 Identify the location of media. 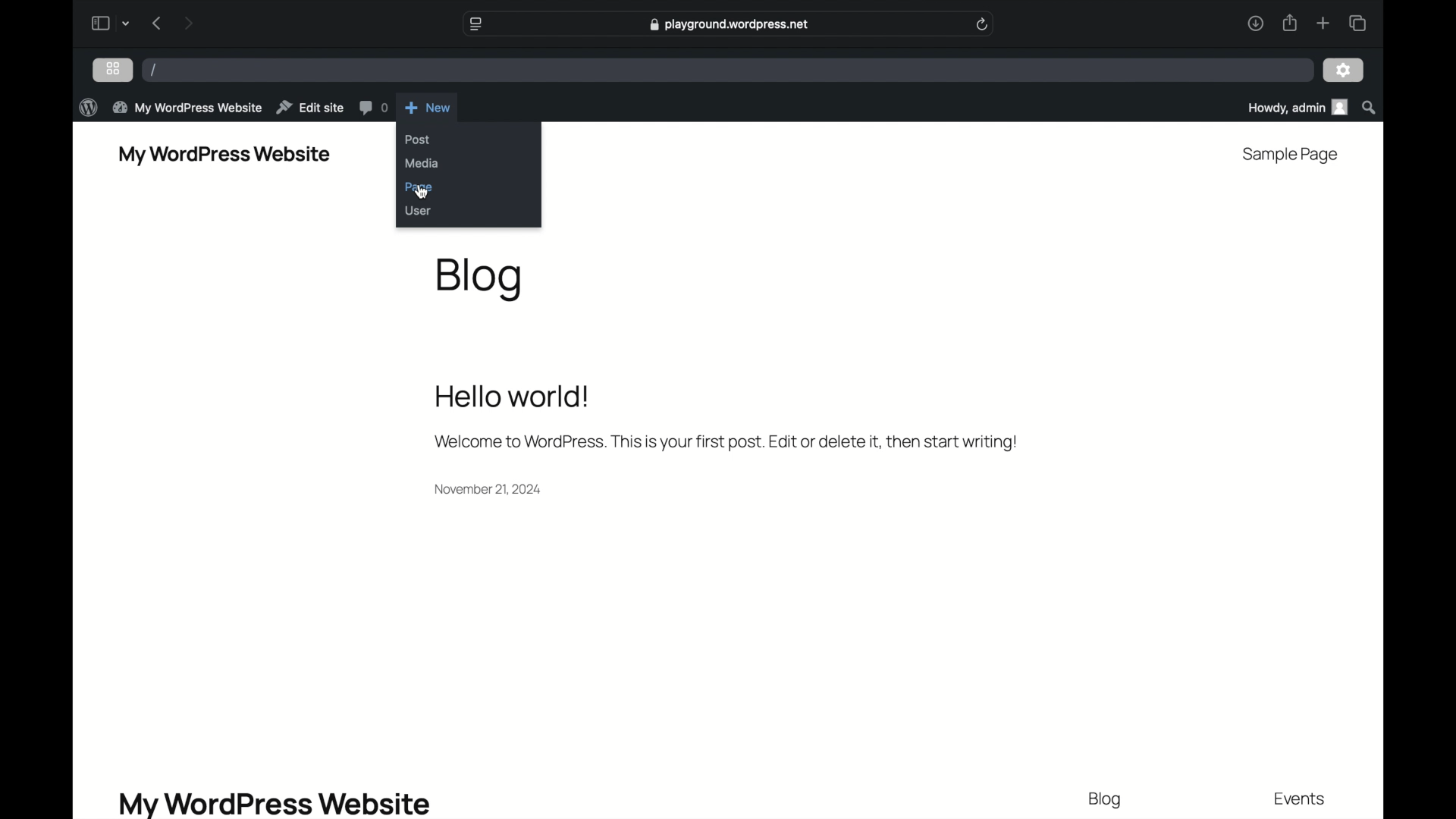
(423, 164).